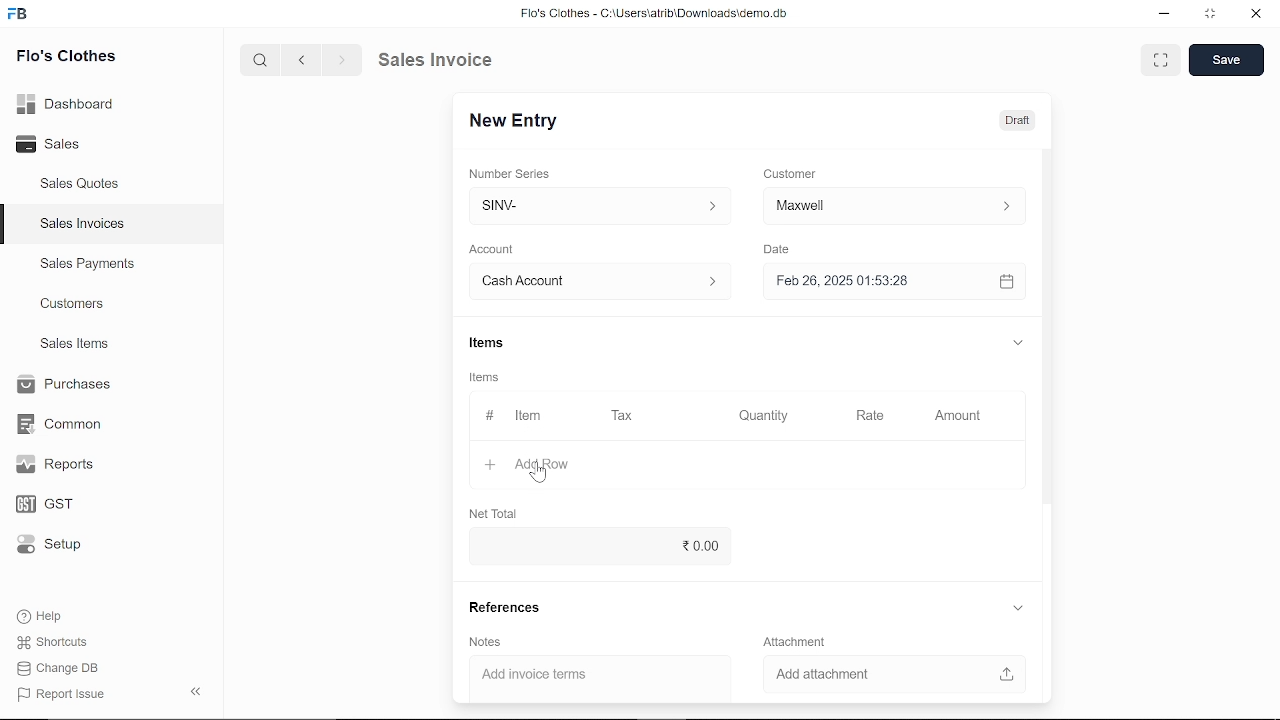 Image resolution: width=1280 pixels, height=720 pixels. What do you see at coordinates (262, 59) in the screenshot?
I see `search` at bounding box center [262, 59].